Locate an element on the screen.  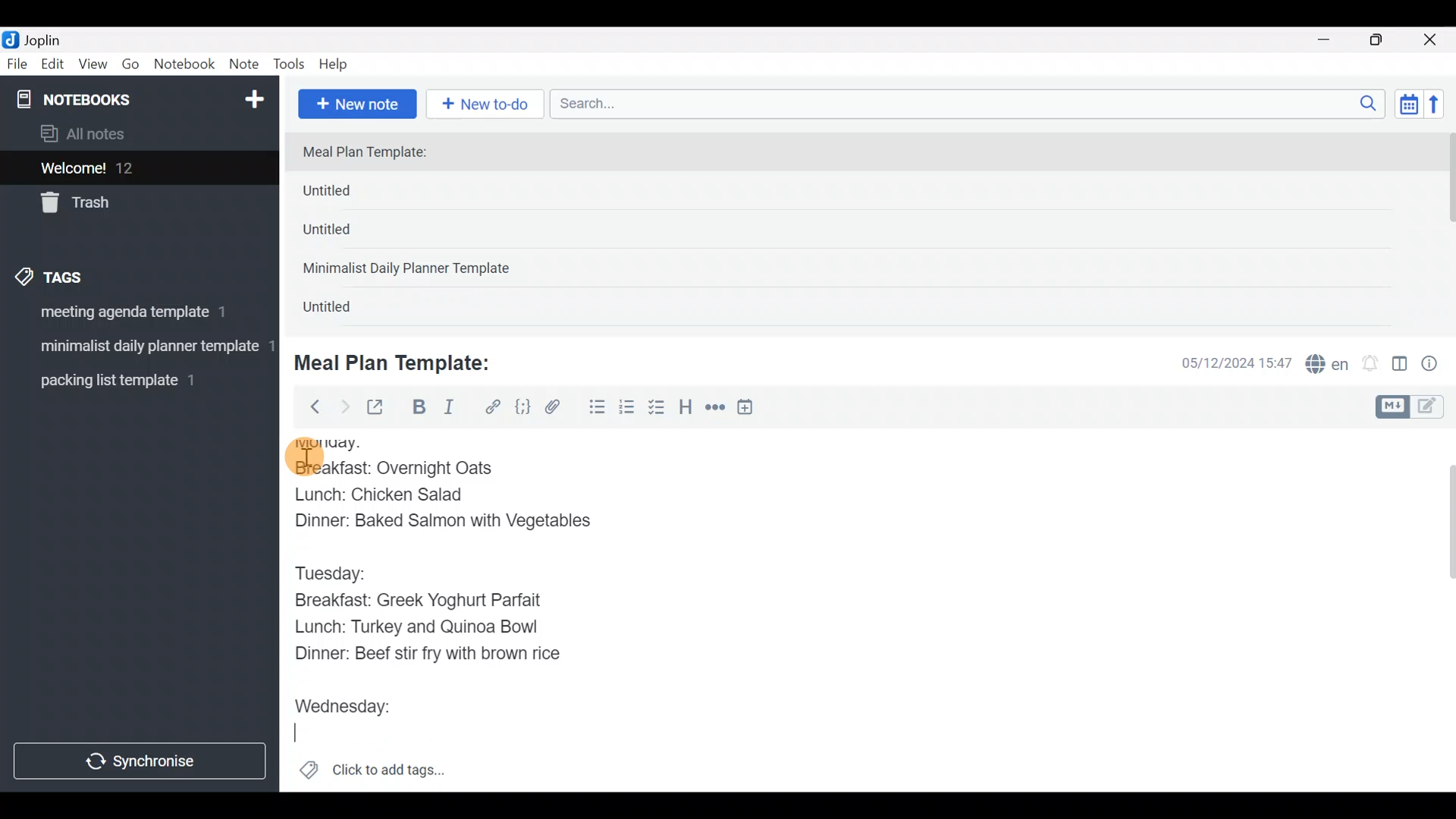
File is located at coordinates (18, 64).